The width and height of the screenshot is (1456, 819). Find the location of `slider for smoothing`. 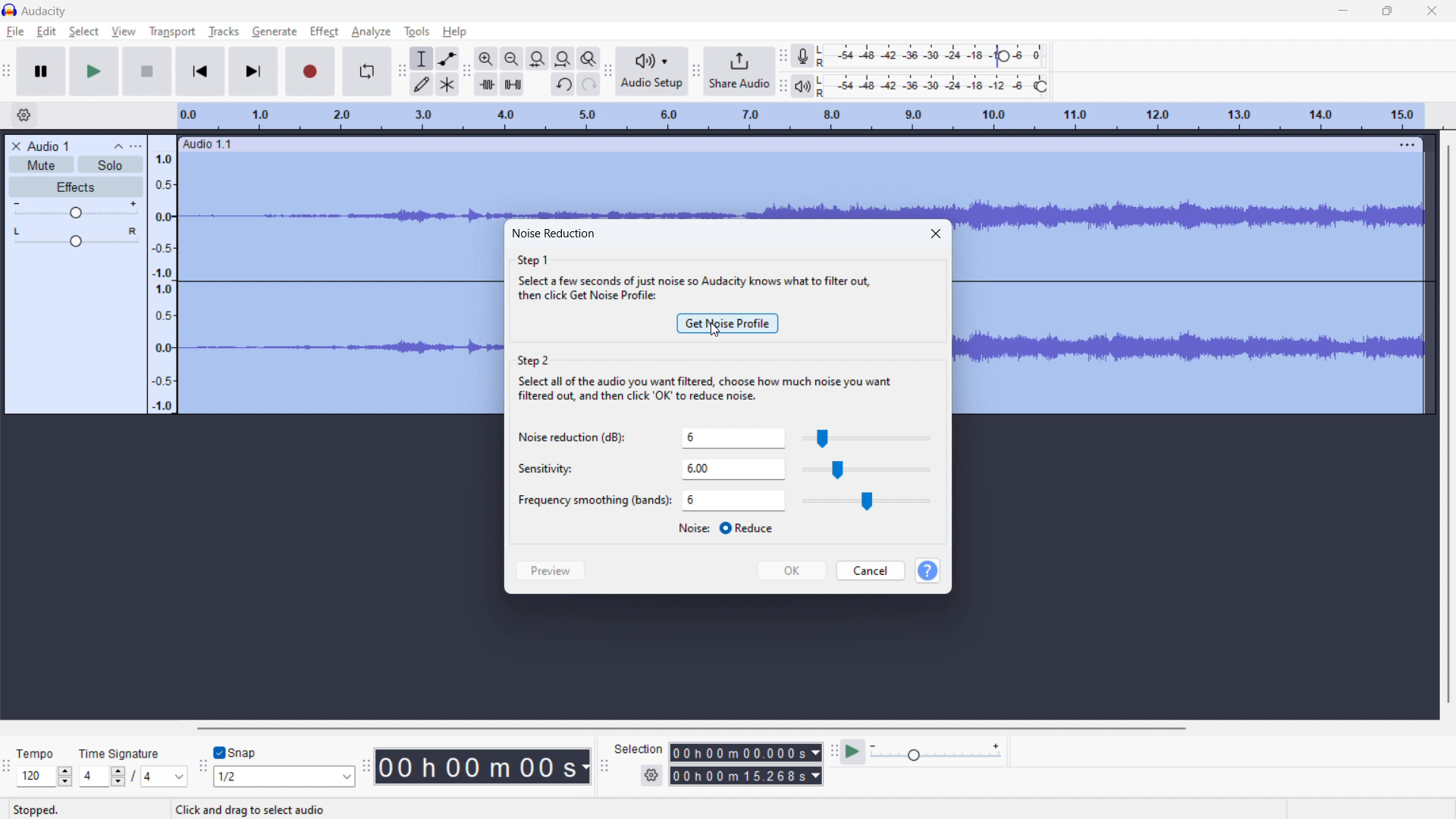

slider for smoothing is located at coordinates (868, 502).